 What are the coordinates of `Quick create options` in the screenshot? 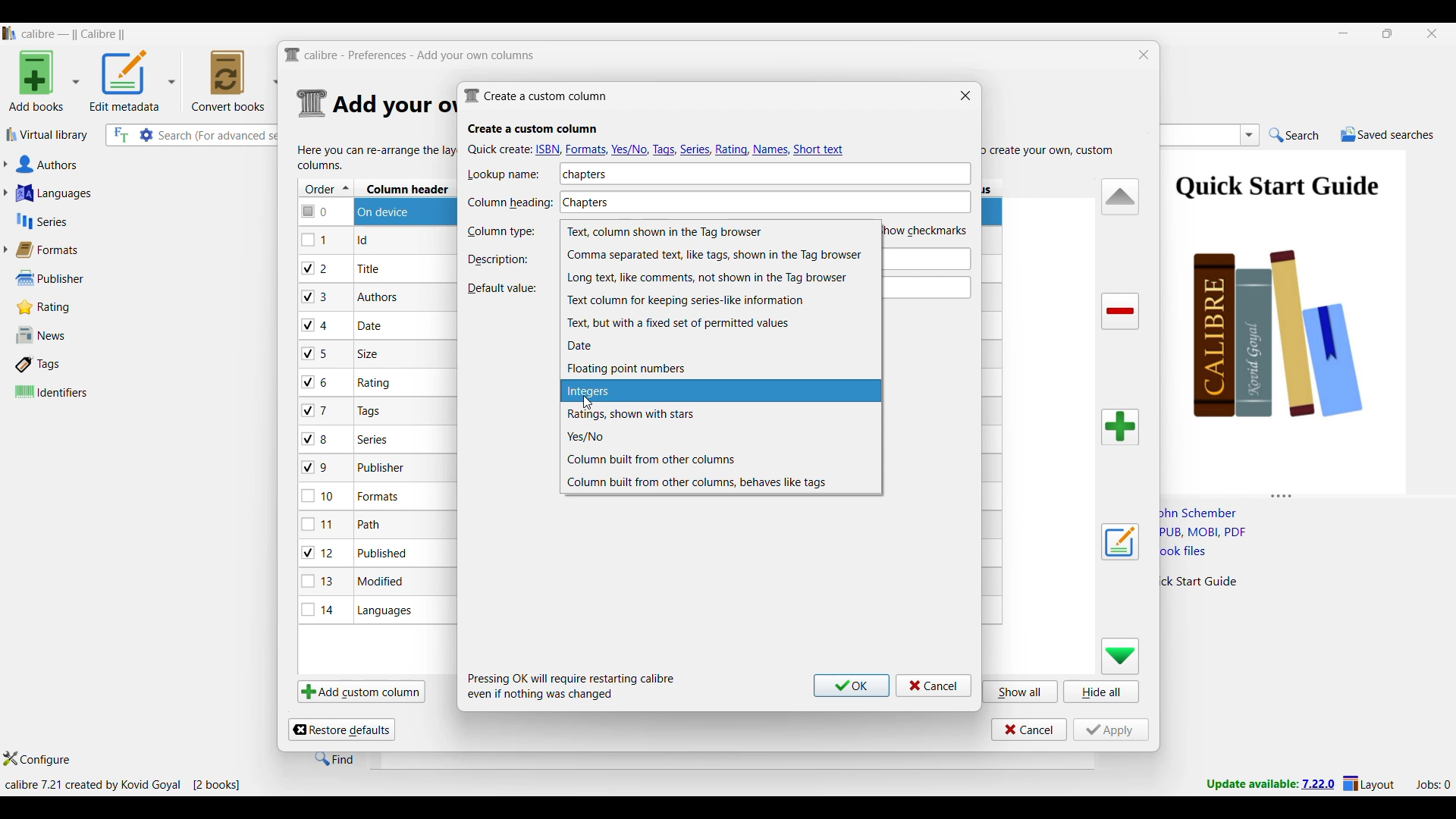 It's located at (658, 149).